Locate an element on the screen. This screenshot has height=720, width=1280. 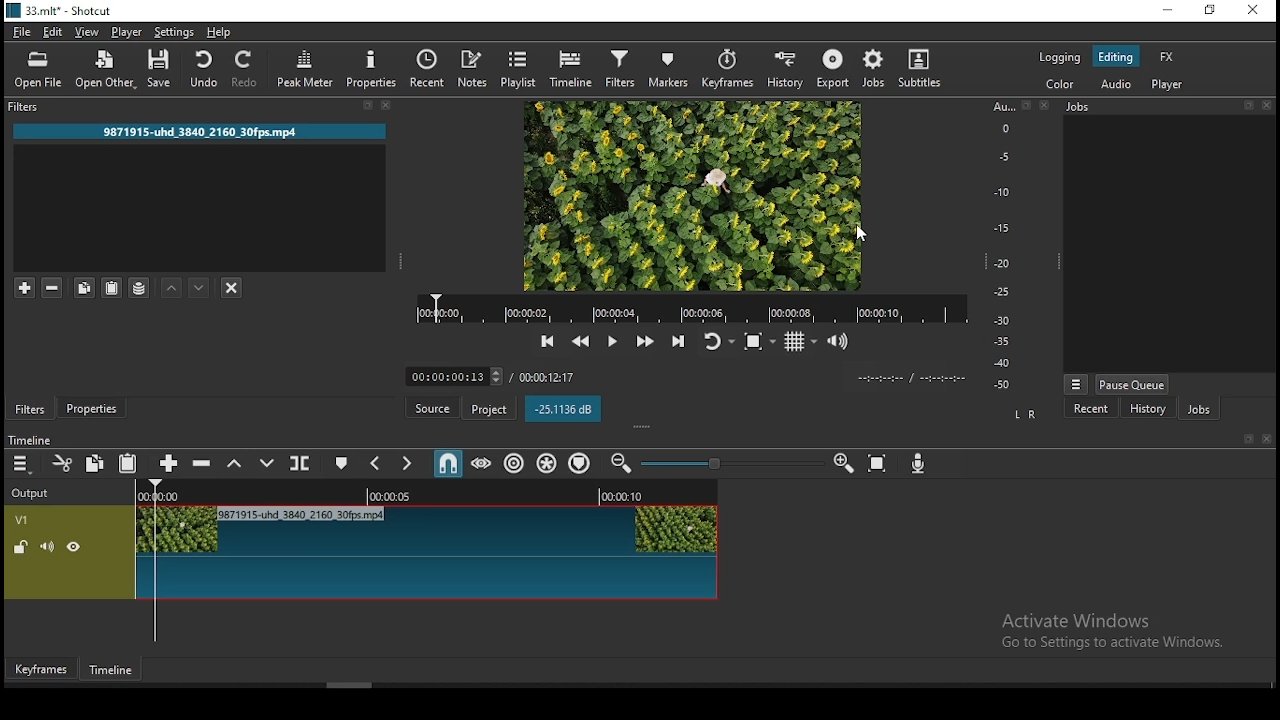
play quickly forward is located at coordinates (643, 343).